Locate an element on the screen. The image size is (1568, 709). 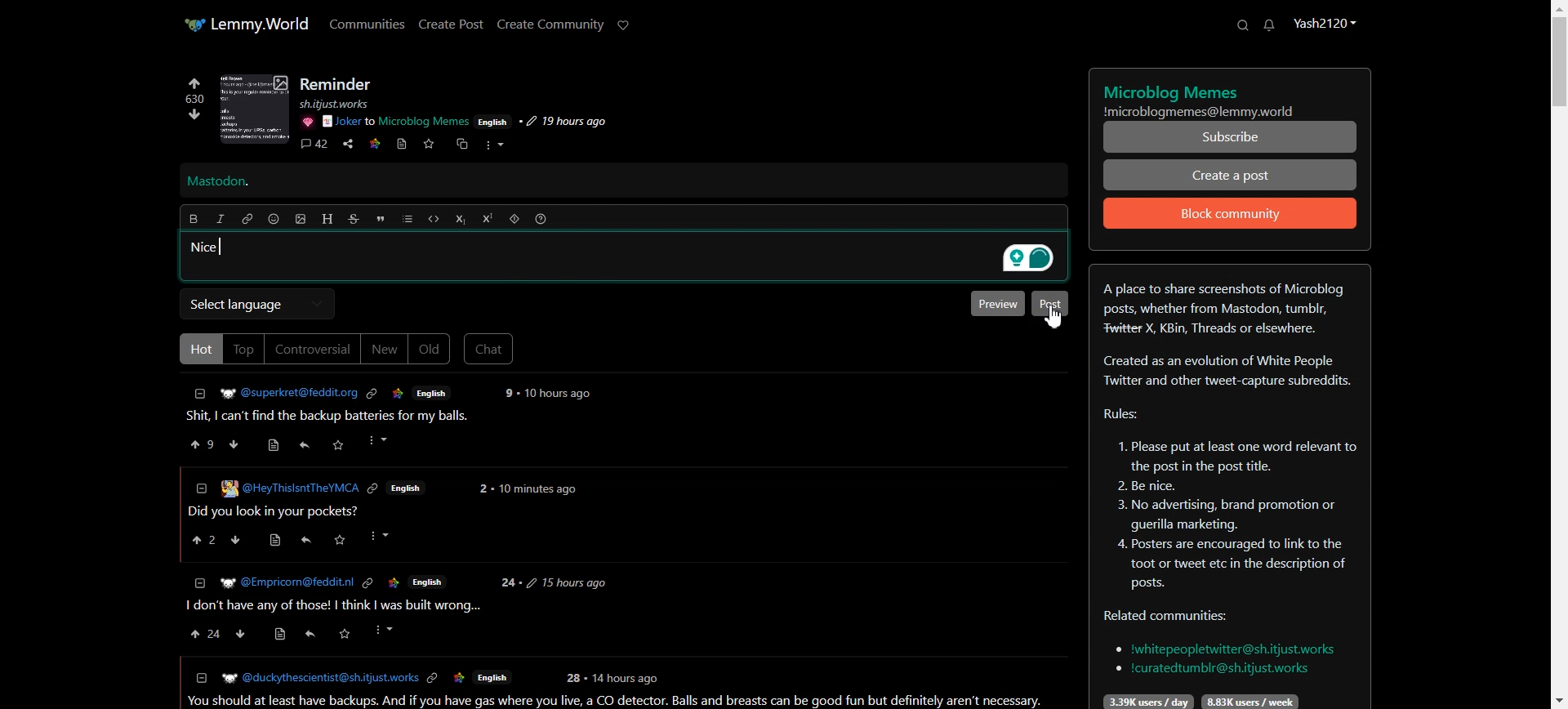
Link is located at coordinates (372, 394).